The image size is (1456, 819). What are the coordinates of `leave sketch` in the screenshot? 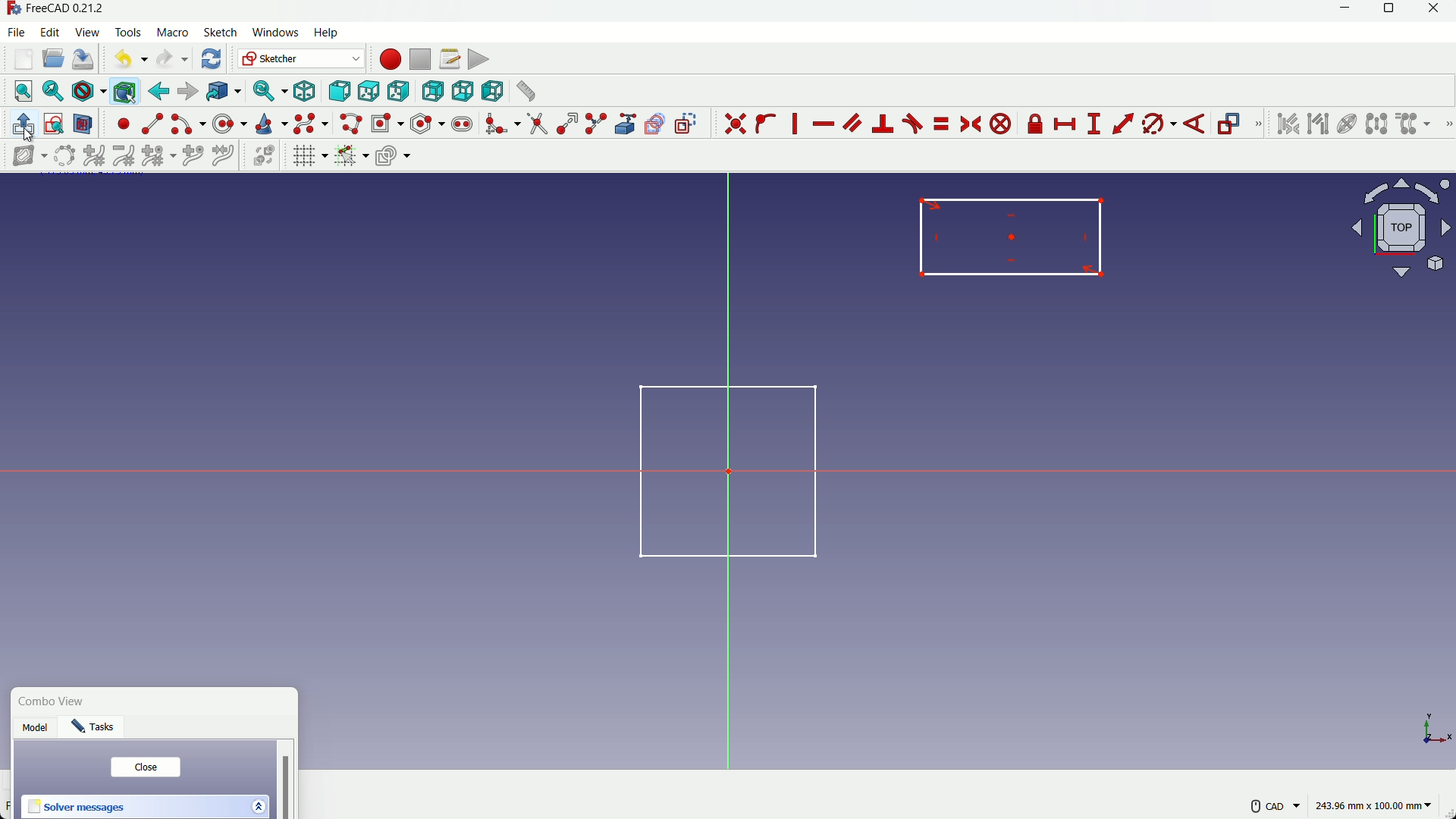 It's located at (24, 124).